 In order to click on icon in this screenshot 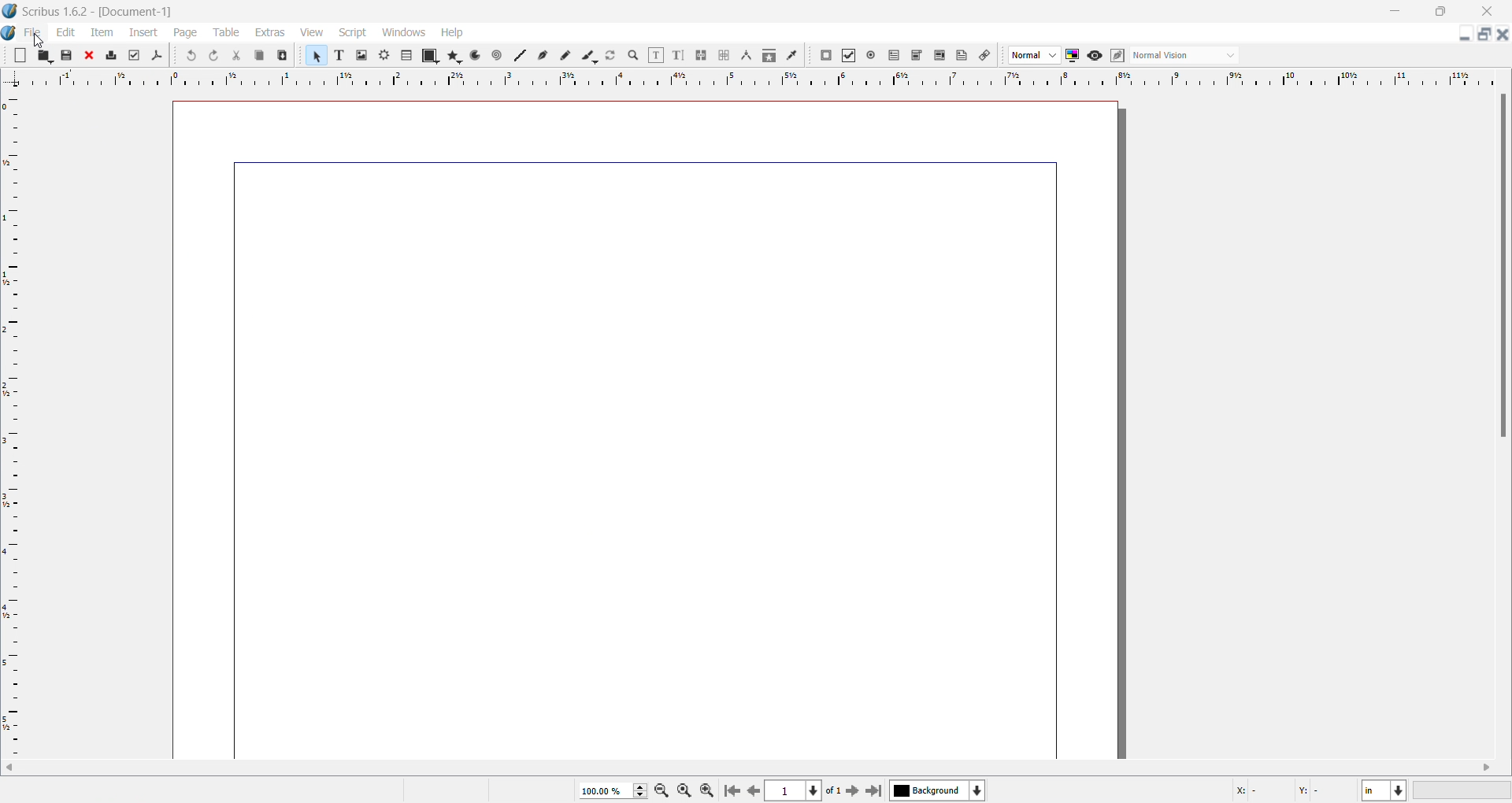, I will do `click(1116, 56)`.